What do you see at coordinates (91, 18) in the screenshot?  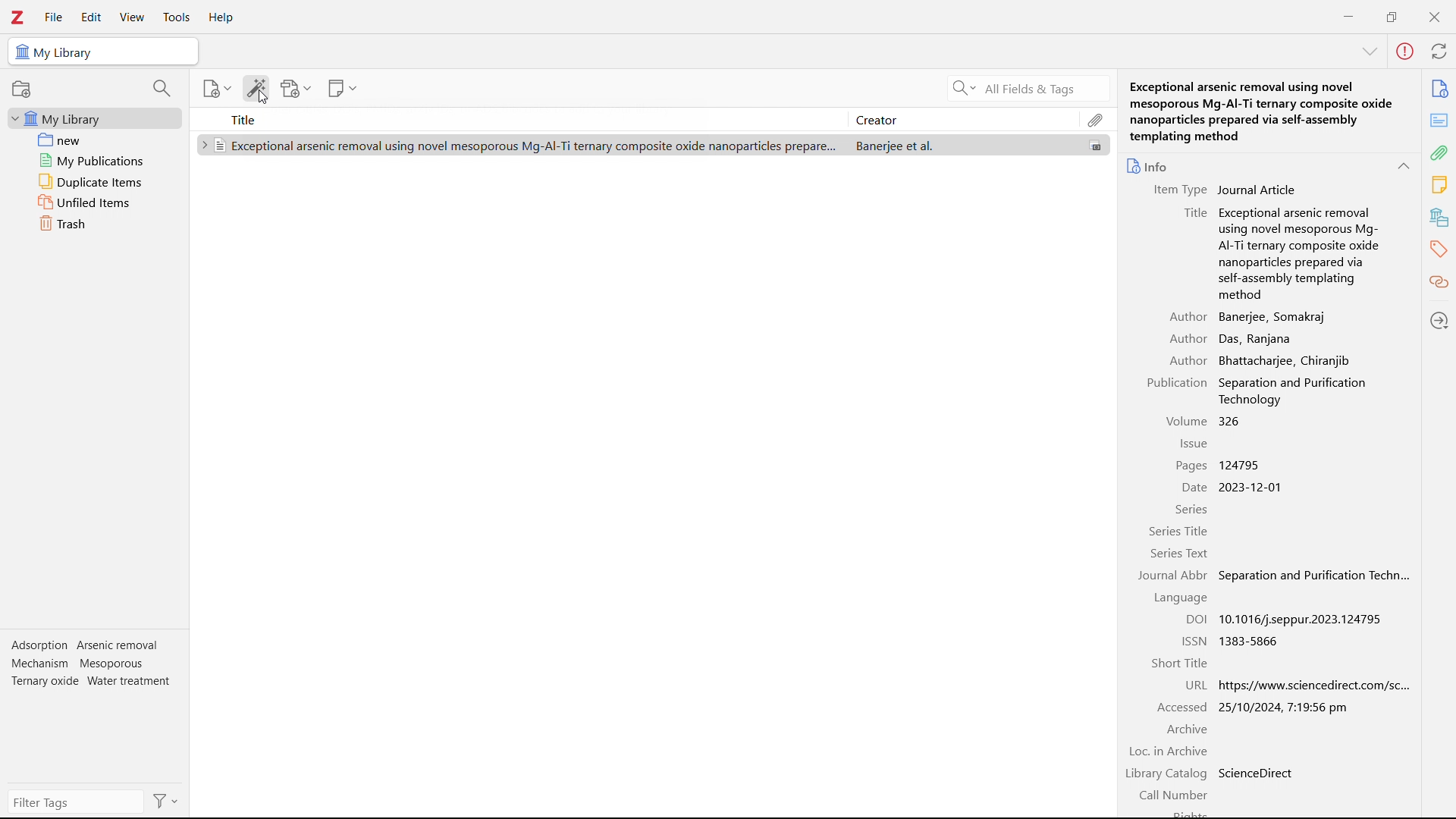 I see `edit` at bounding box center [91, 18].